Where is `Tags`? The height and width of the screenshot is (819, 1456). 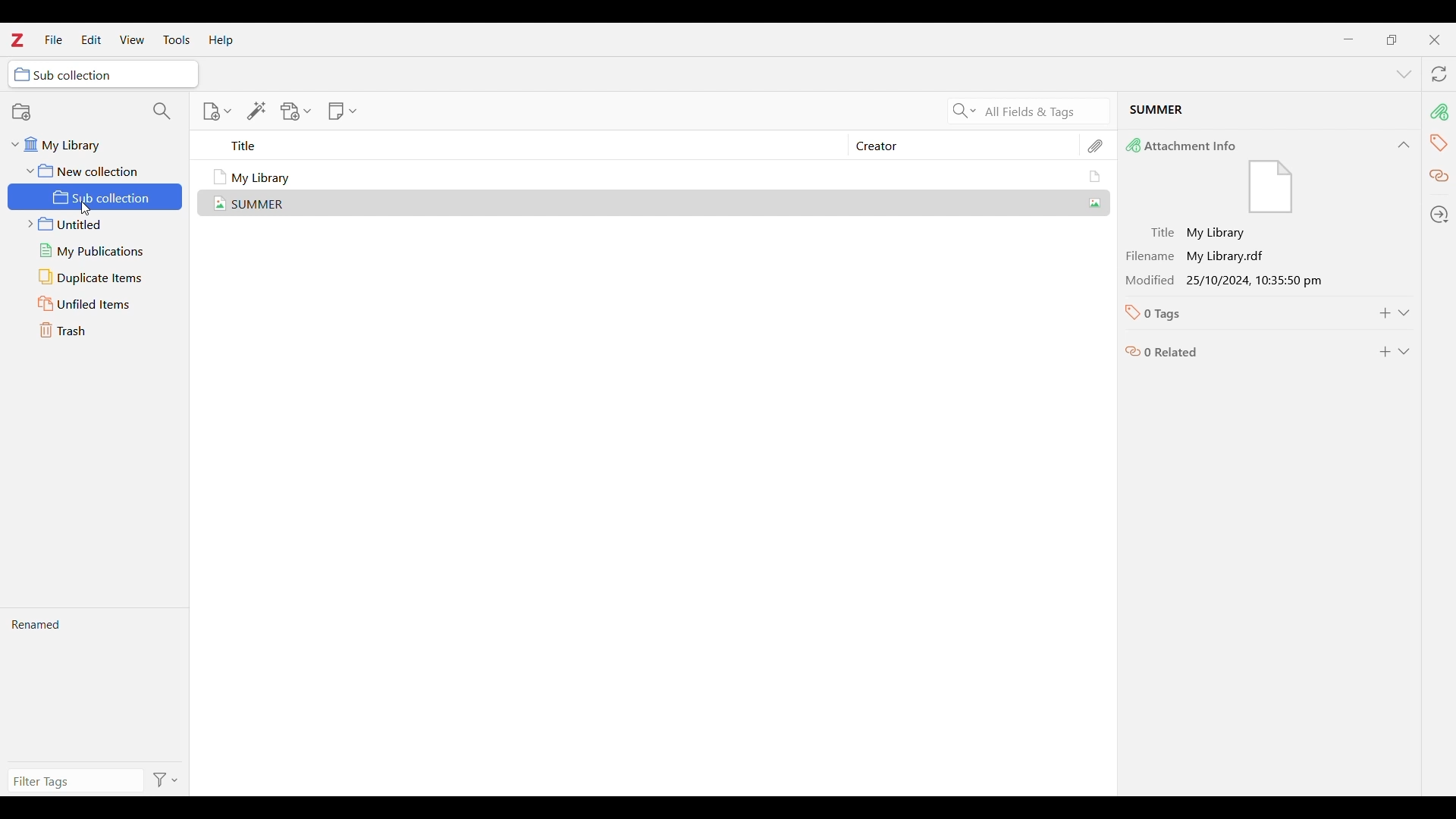
Tags is located at coordinates (1440, 143).